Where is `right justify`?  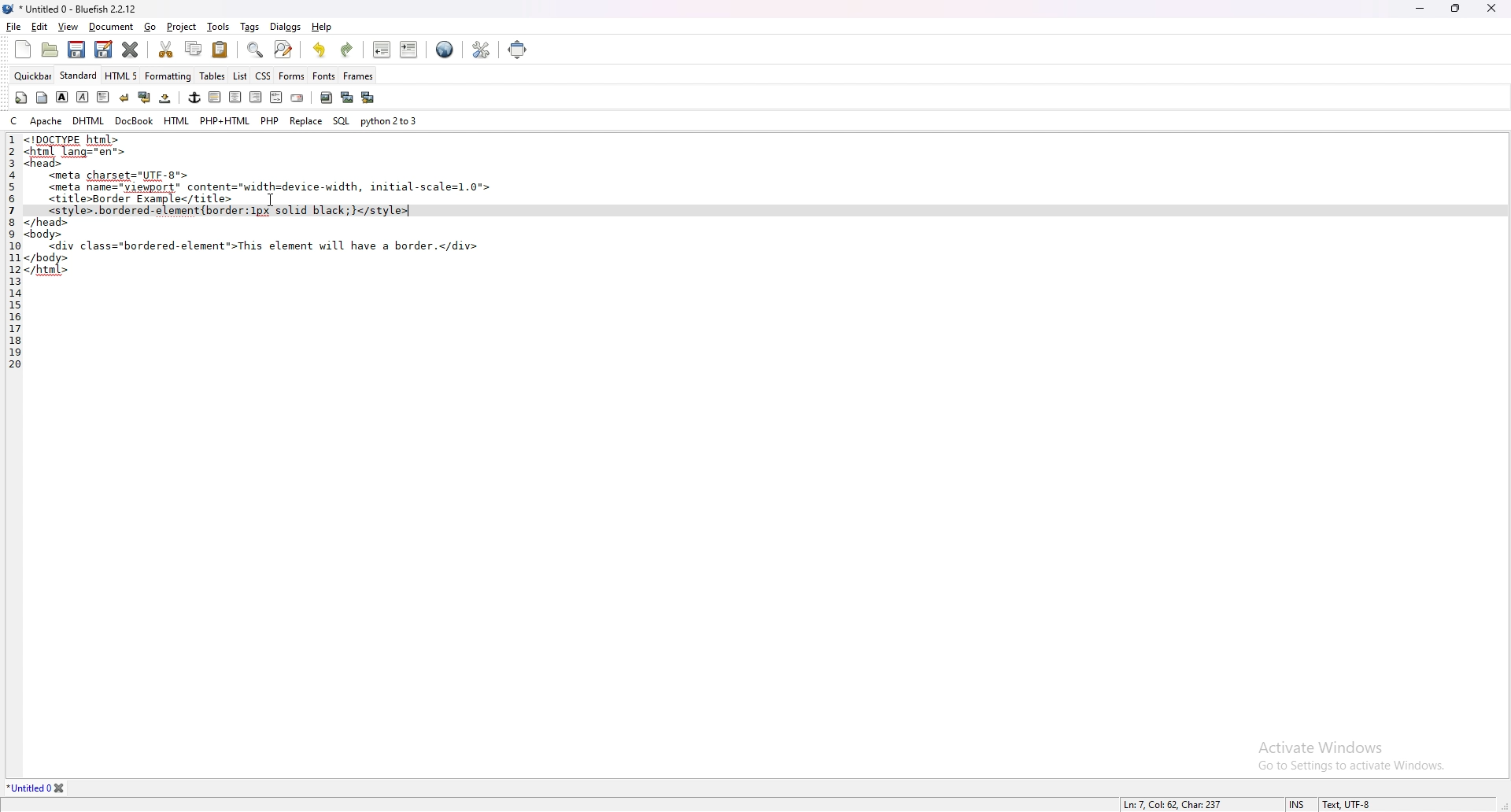 right justify is located at coordinates (256, 96).